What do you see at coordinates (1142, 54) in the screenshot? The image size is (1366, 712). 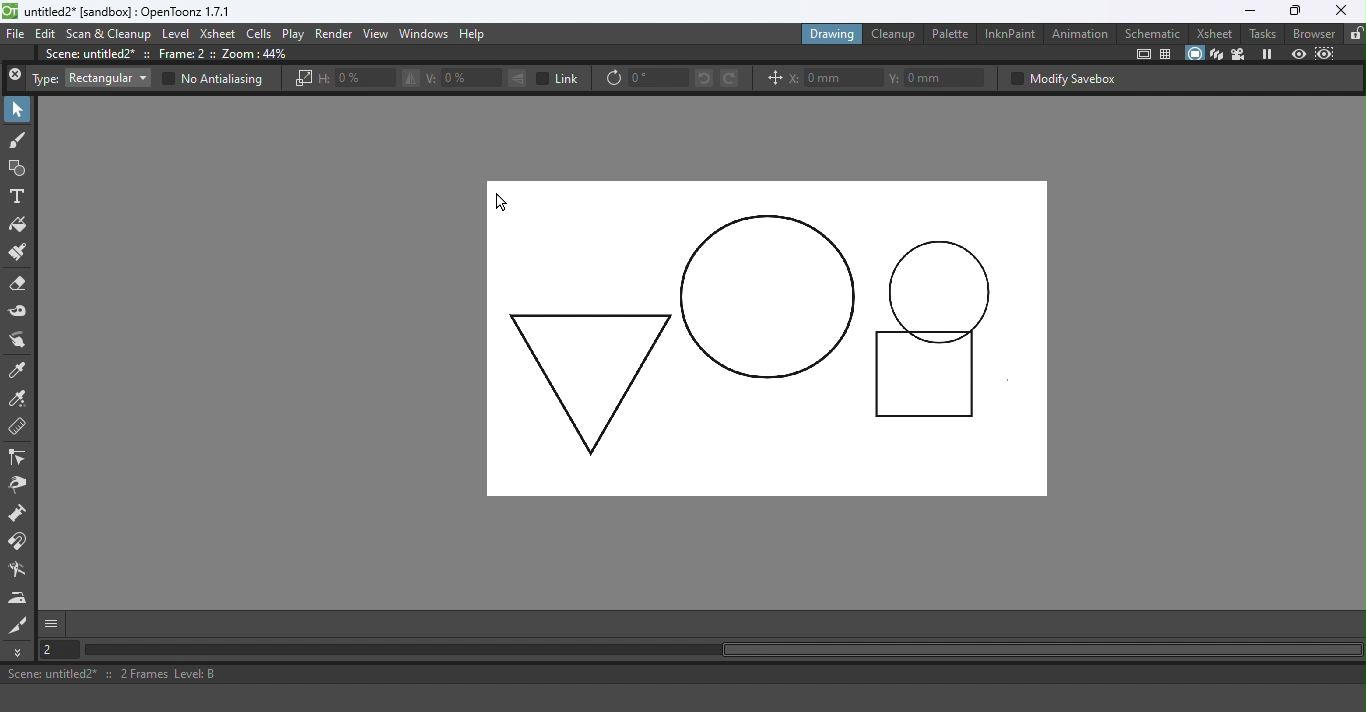 I see `Safe area` at bounding box center [1142, 54].